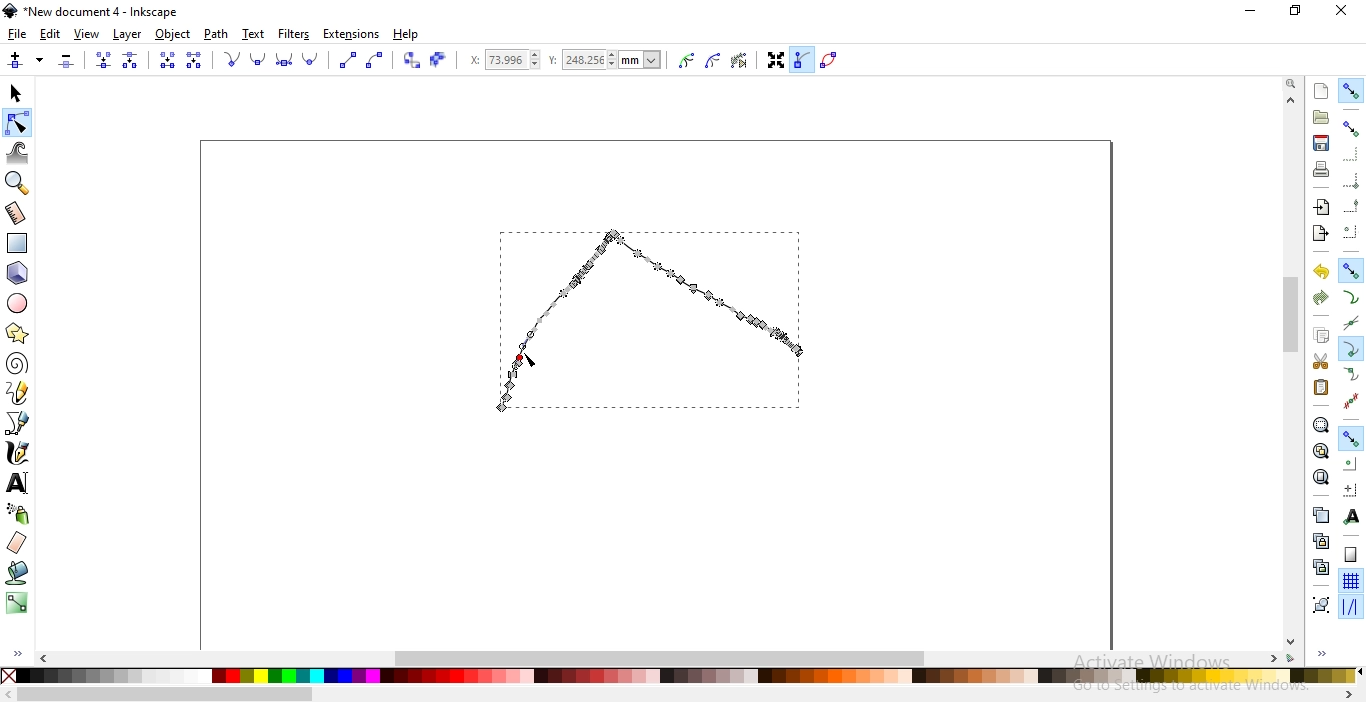  I want to click on insert new nodes into selected segments, so click(15, 61).